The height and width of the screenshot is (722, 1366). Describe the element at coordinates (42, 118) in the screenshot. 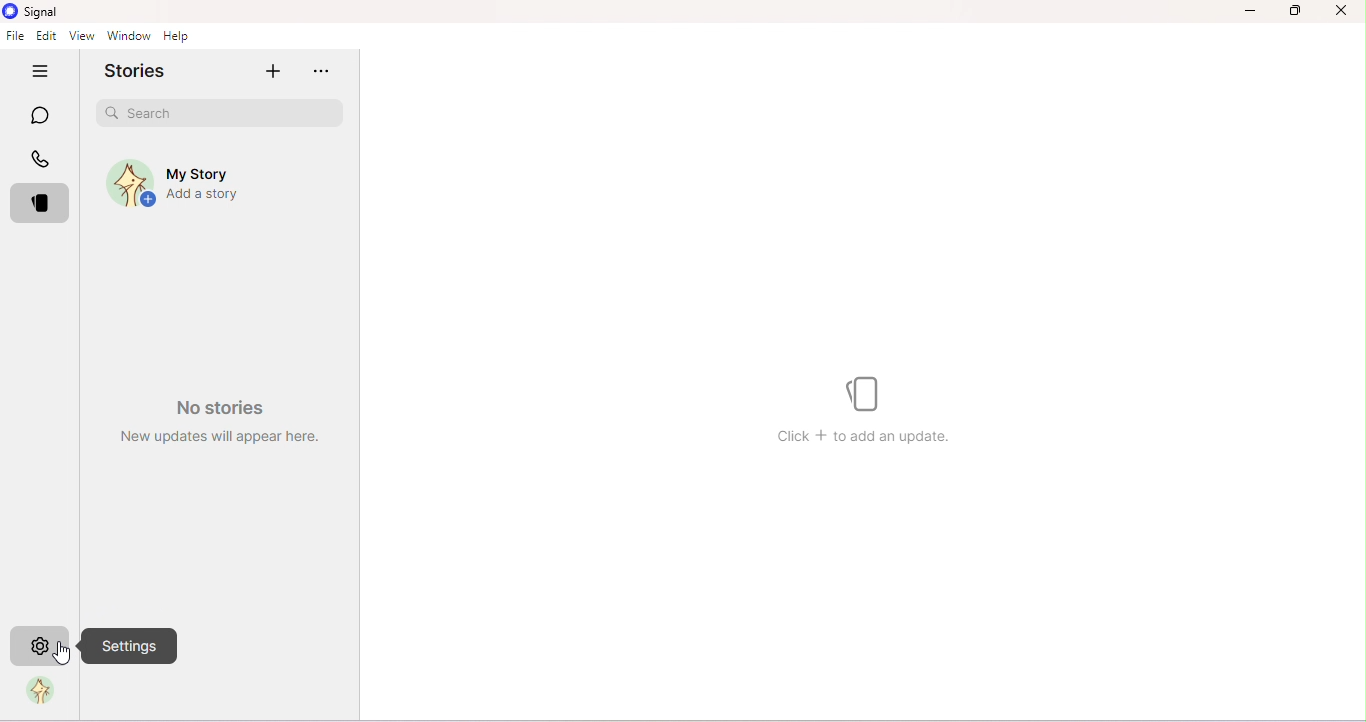

I see `Chats` at that location.